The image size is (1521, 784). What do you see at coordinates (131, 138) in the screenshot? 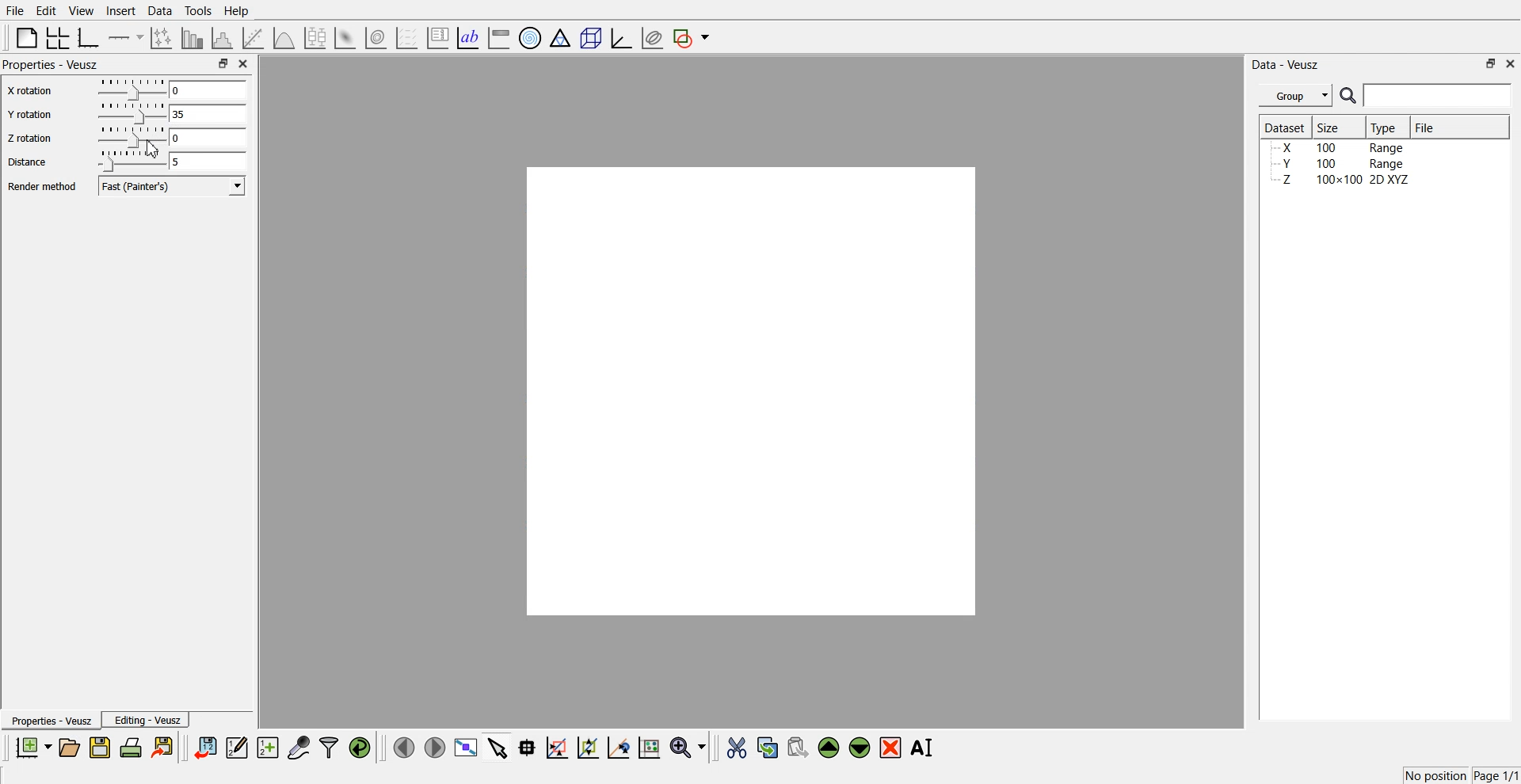
I see `Drag Handle` at bounding box center [131, 138].